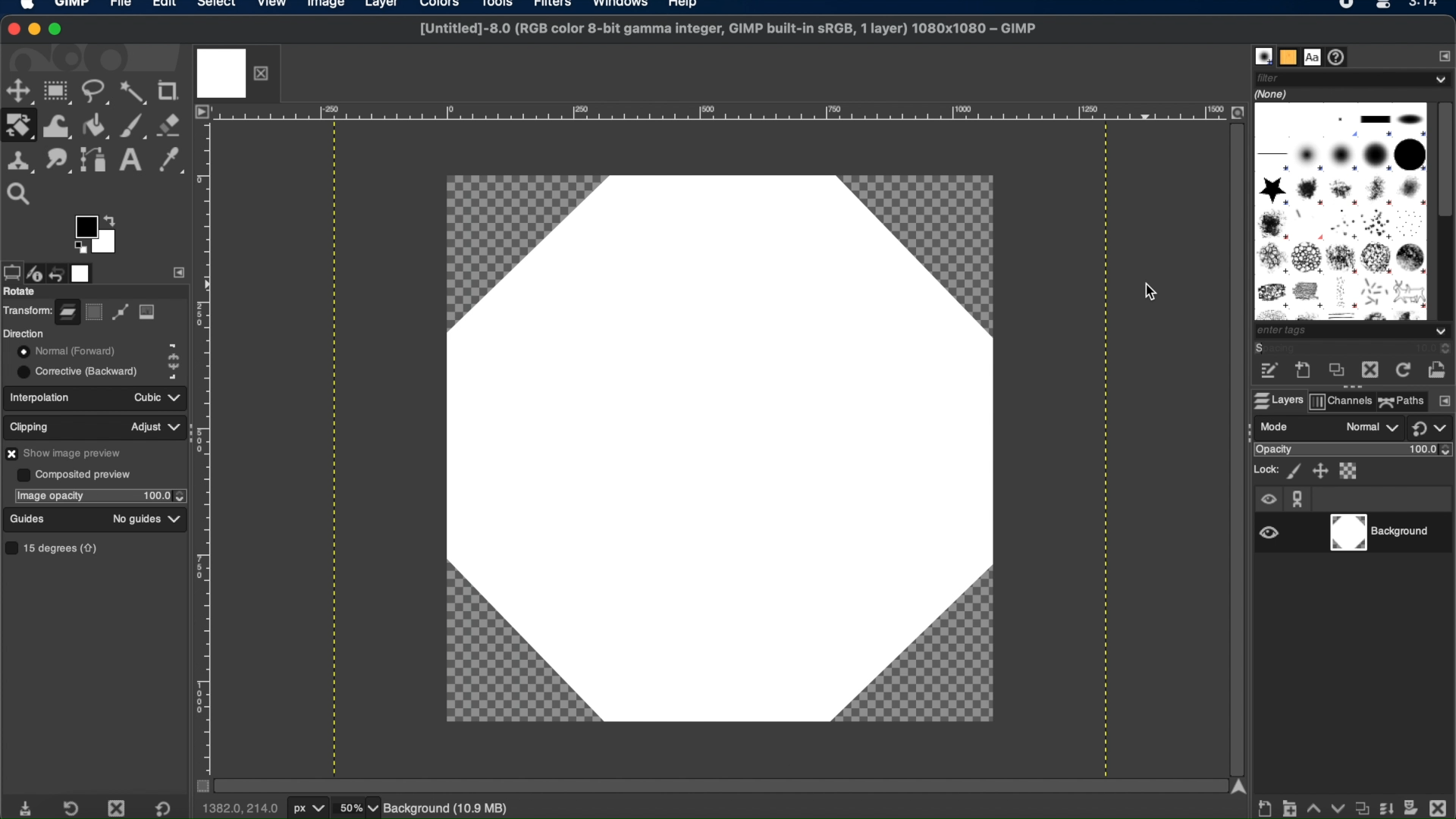  Describe the element at coordinates (221, 72) in the screenshot. I see `image tab` at that location.